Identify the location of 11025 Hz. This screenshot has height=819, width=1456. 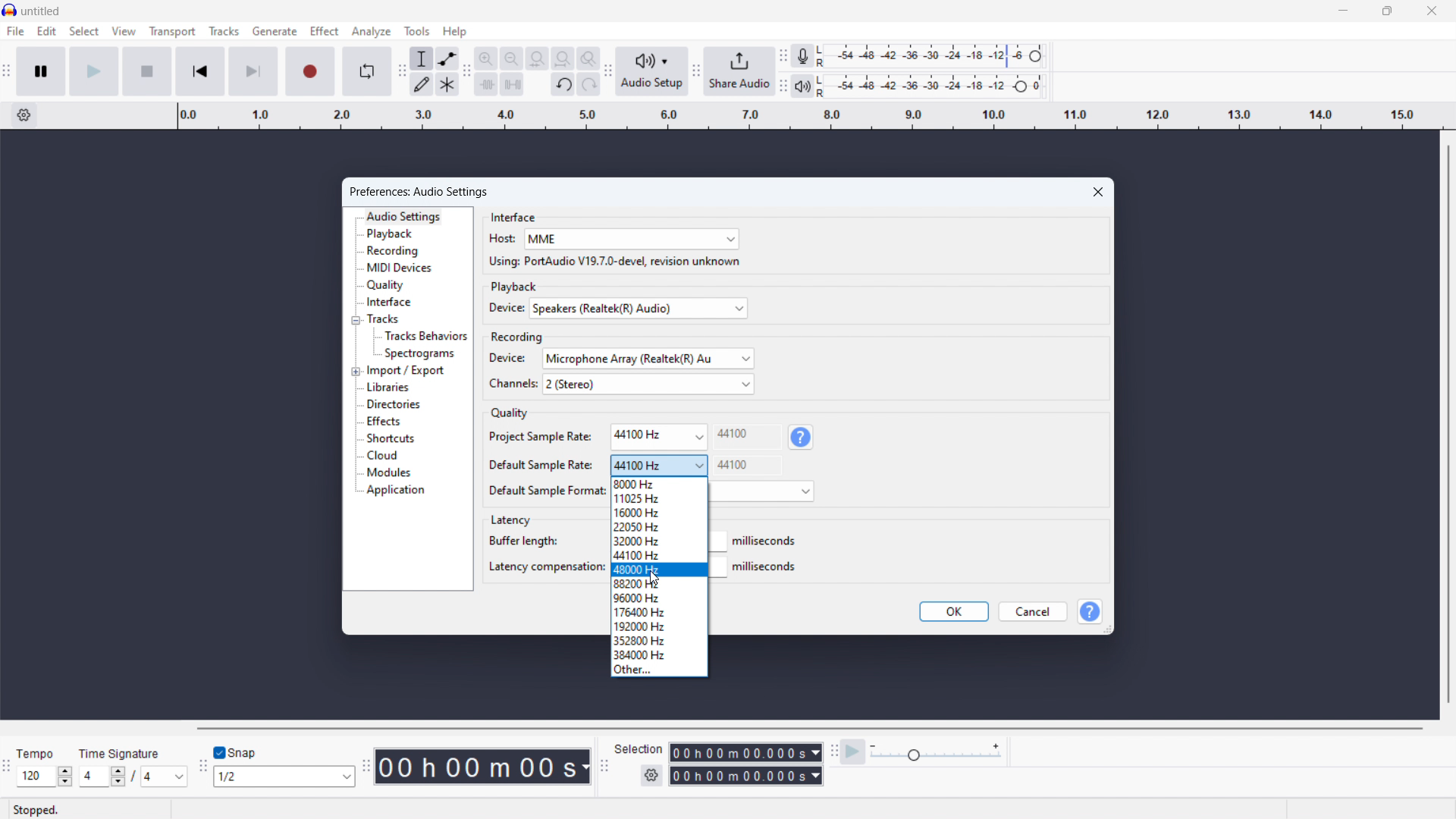
(660, 497).